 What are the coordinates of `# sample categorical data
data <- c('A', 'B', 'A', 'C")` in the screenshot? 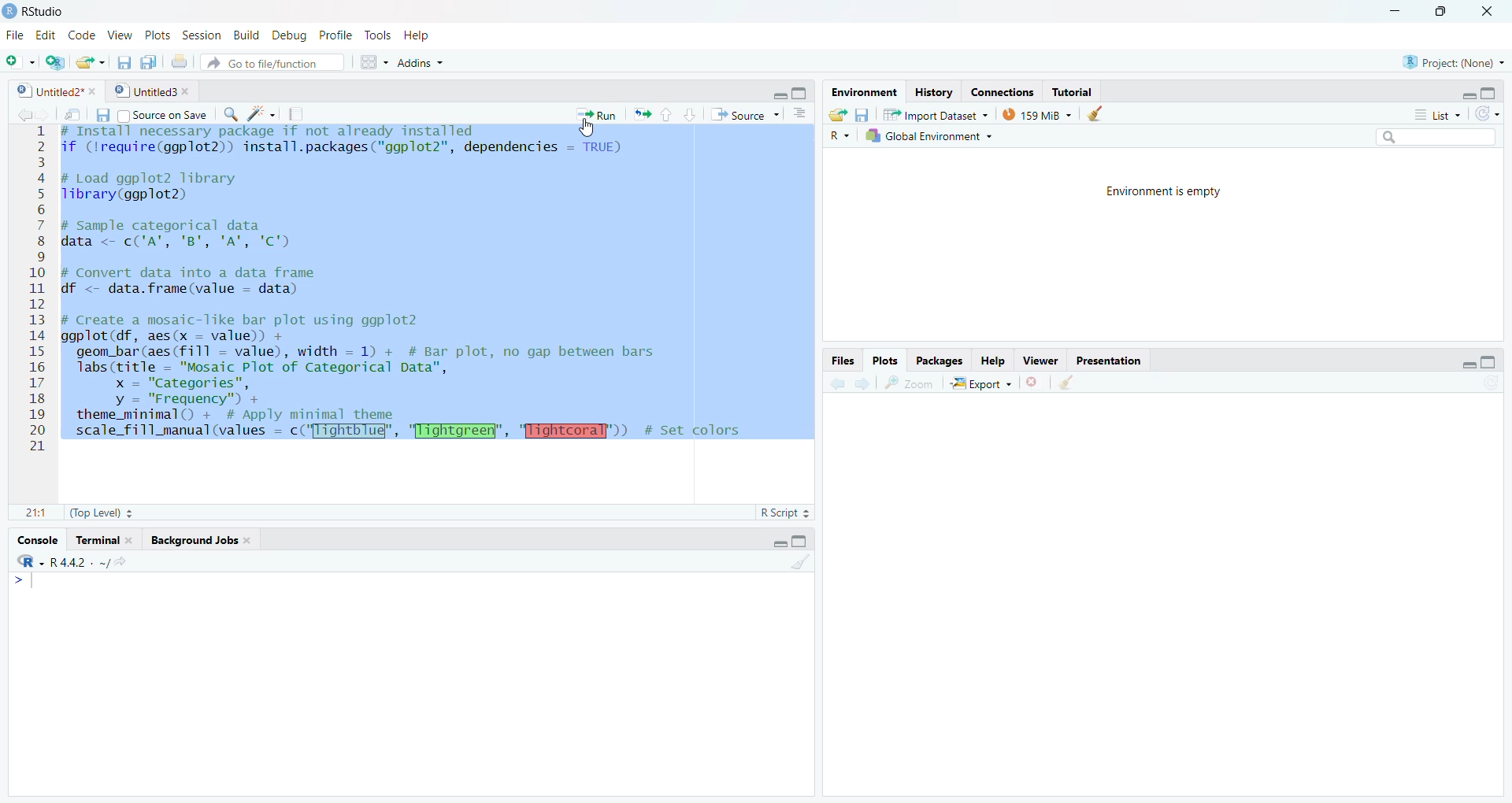 It's located at (191, 233).